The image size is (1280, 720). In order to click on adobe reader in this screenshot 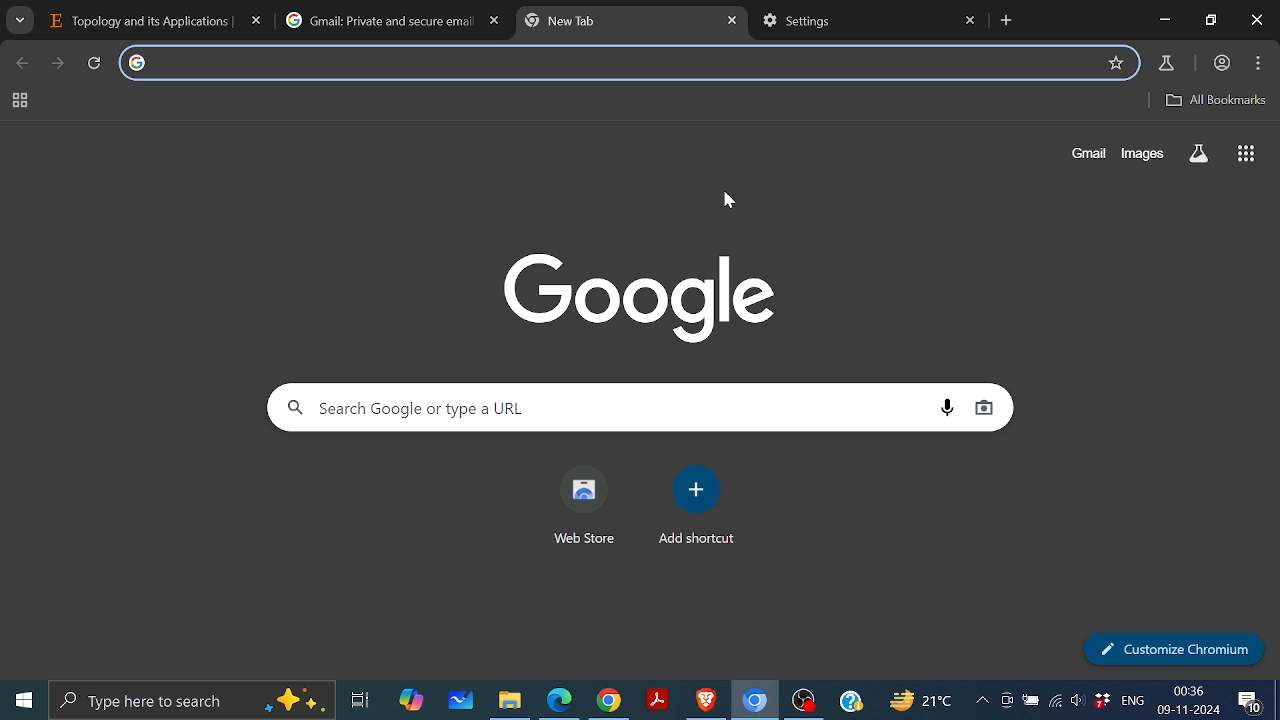, I will do `click(658, 701)`.